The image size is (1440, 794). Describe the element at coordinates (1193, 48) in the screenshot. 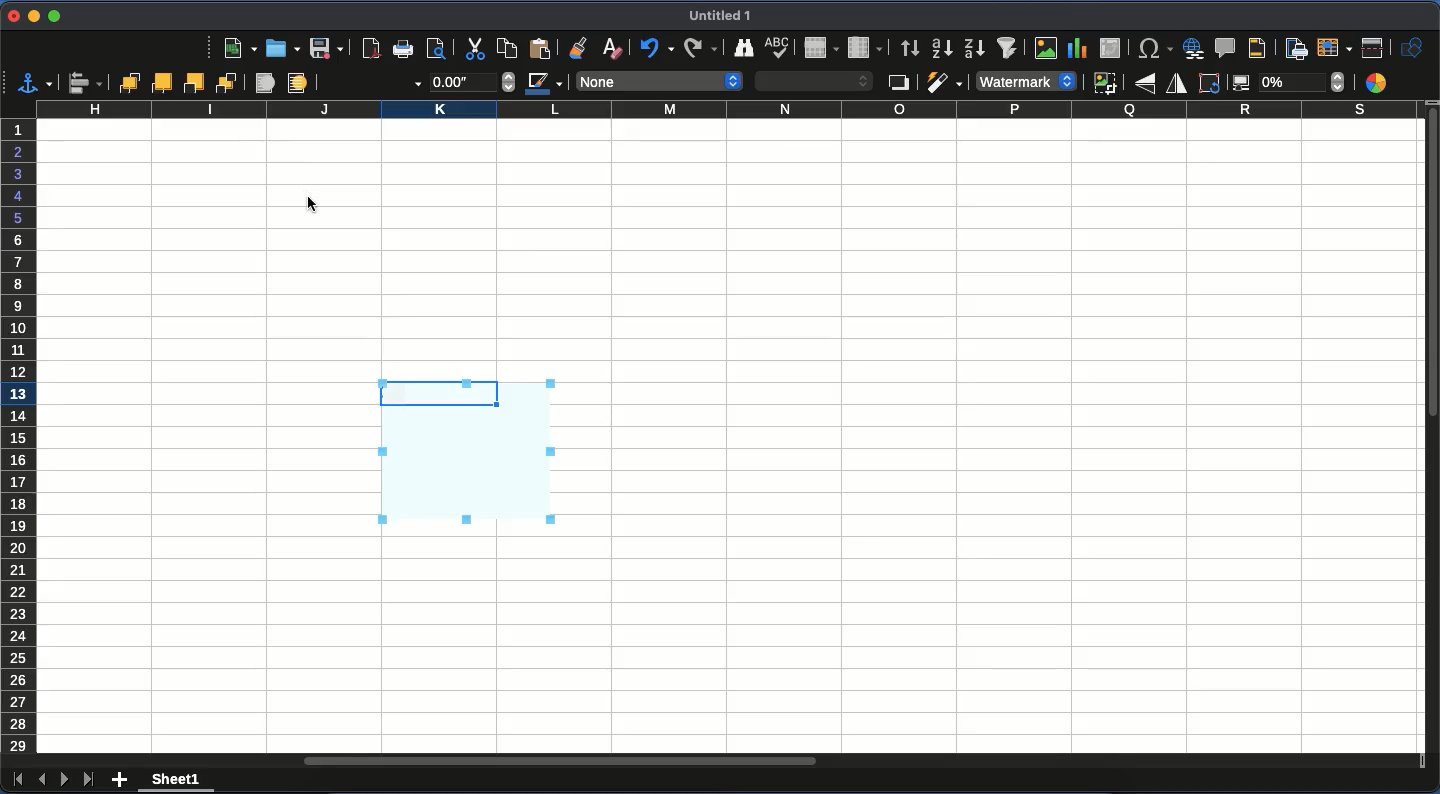

I see `hyperlink` at that location.